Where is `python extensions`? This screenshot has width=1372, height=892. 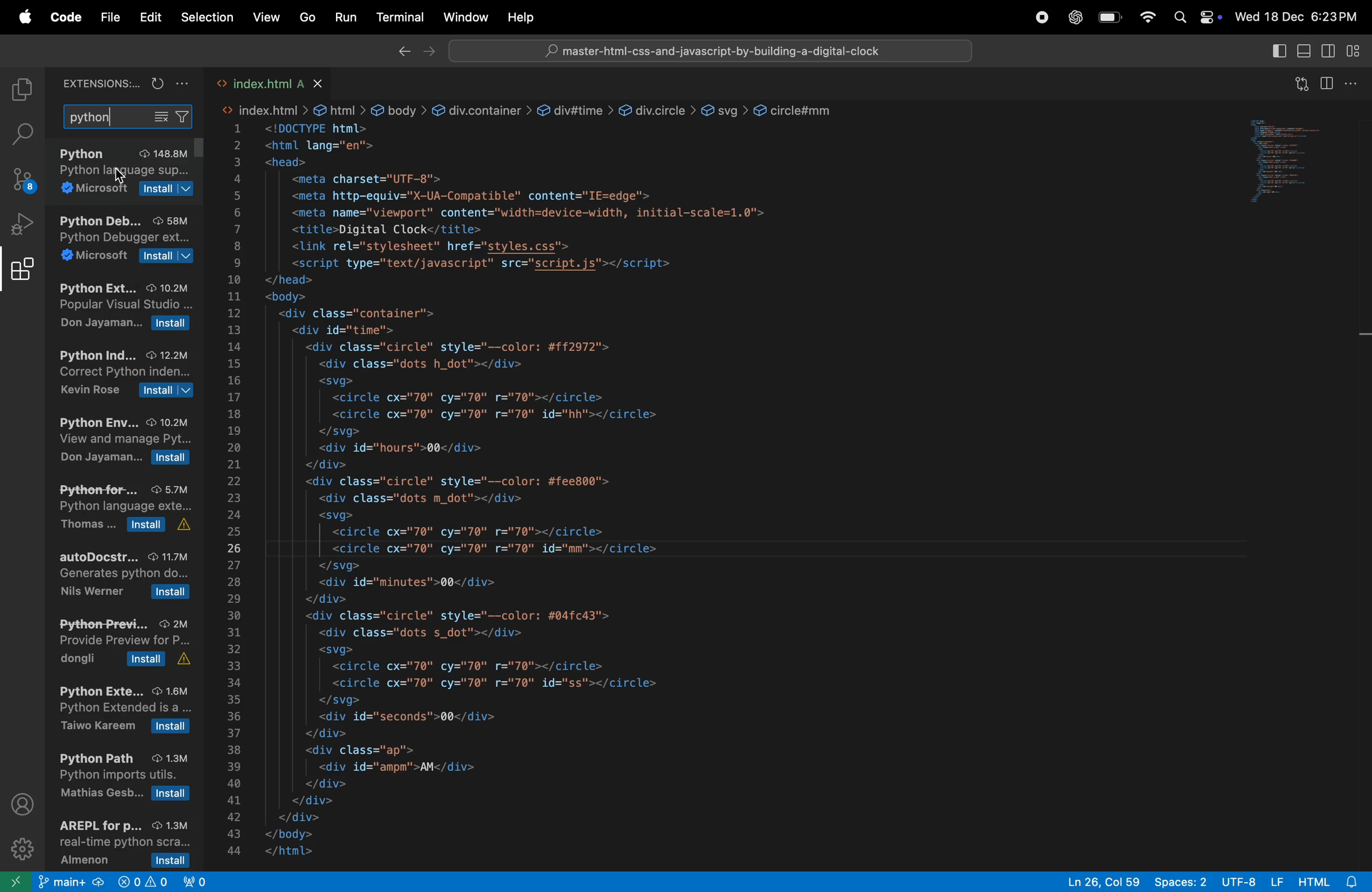 python extensions is located at coordinates (123, 309).